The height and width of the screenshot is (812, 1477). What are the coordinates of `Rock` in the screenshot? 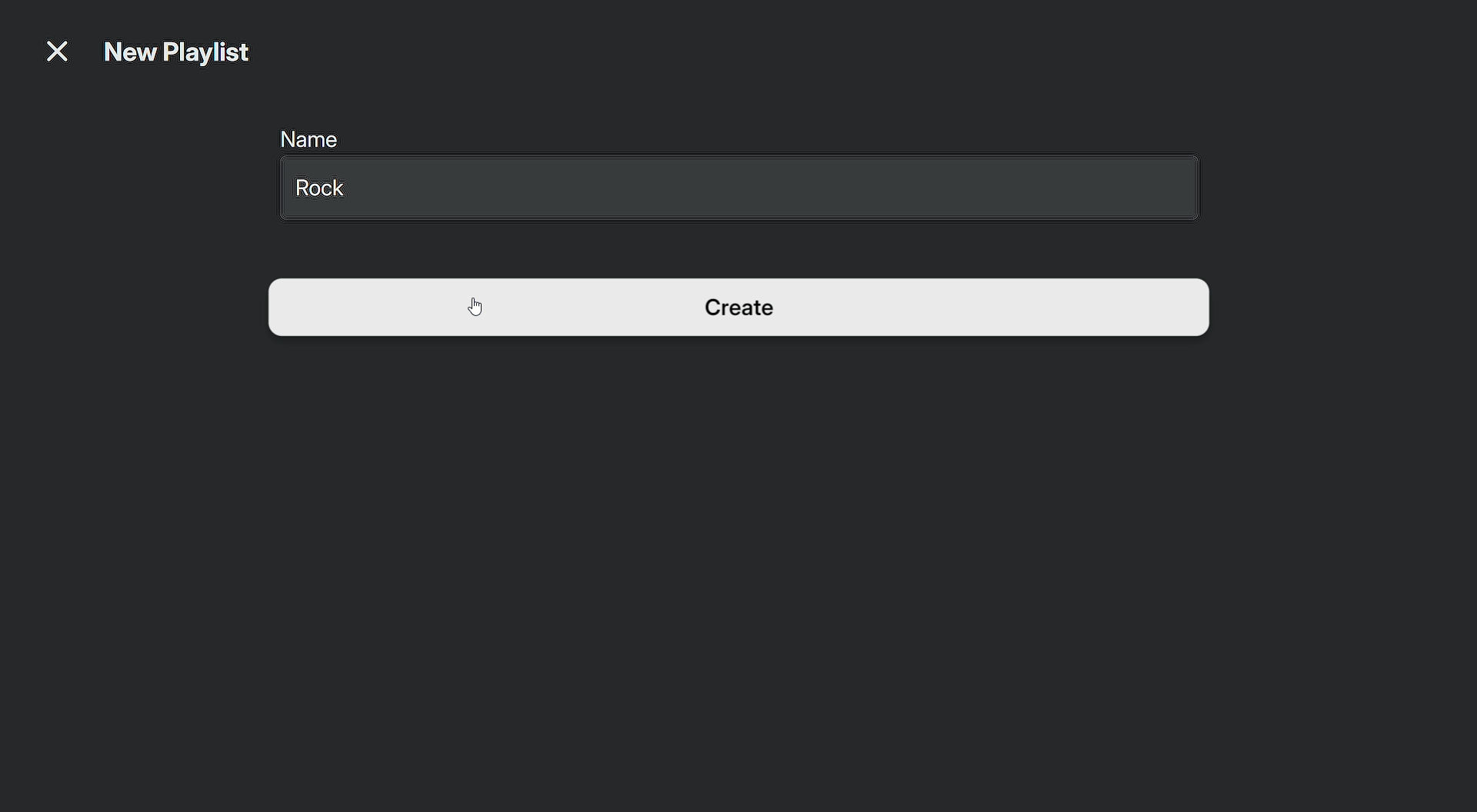 It's located at (323, 194).